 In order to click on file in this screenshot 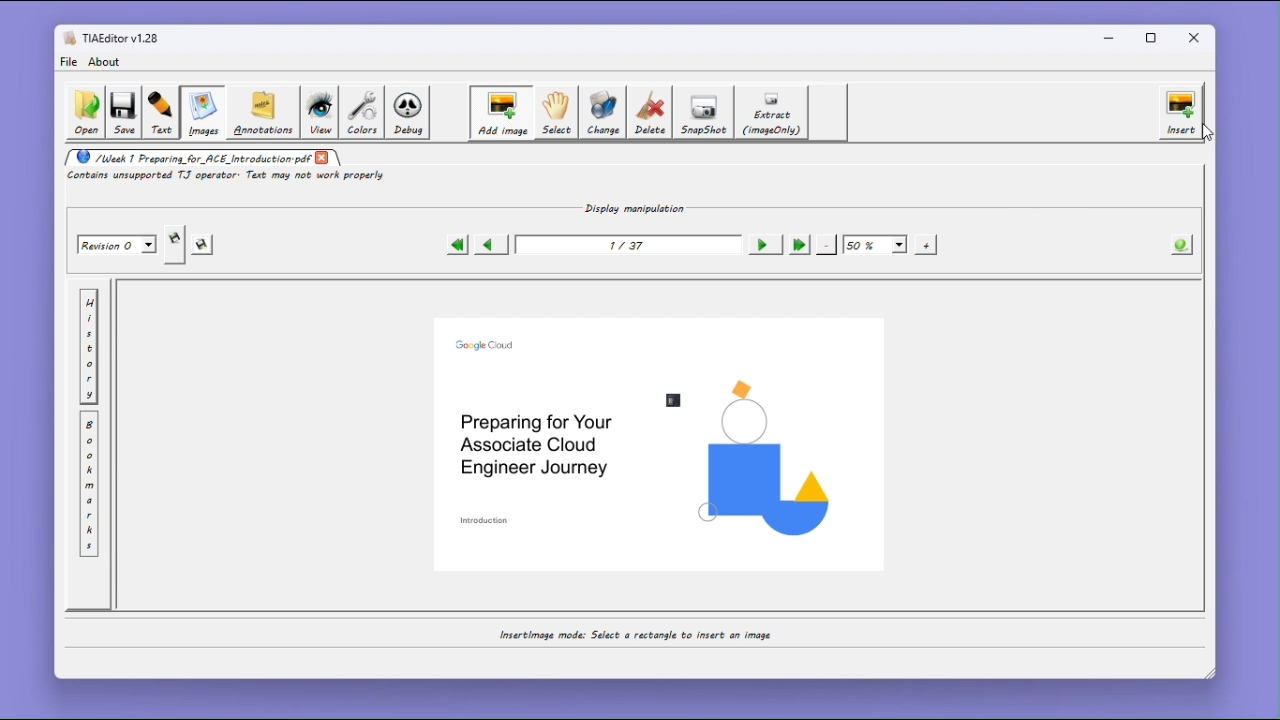, I will do `click(68, 62)`.